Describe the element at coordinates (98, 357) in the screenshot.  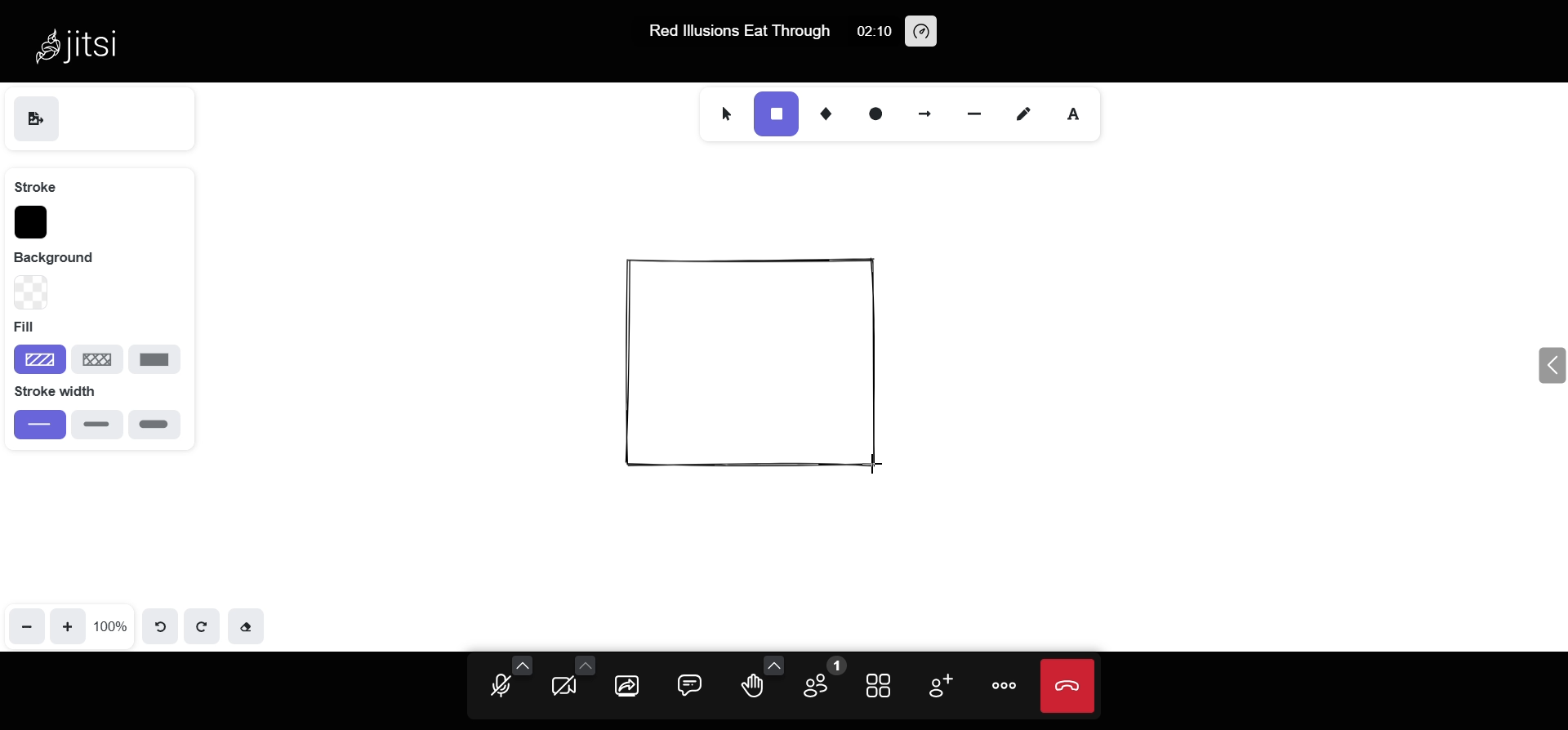
I see `cross hatch` at that location.